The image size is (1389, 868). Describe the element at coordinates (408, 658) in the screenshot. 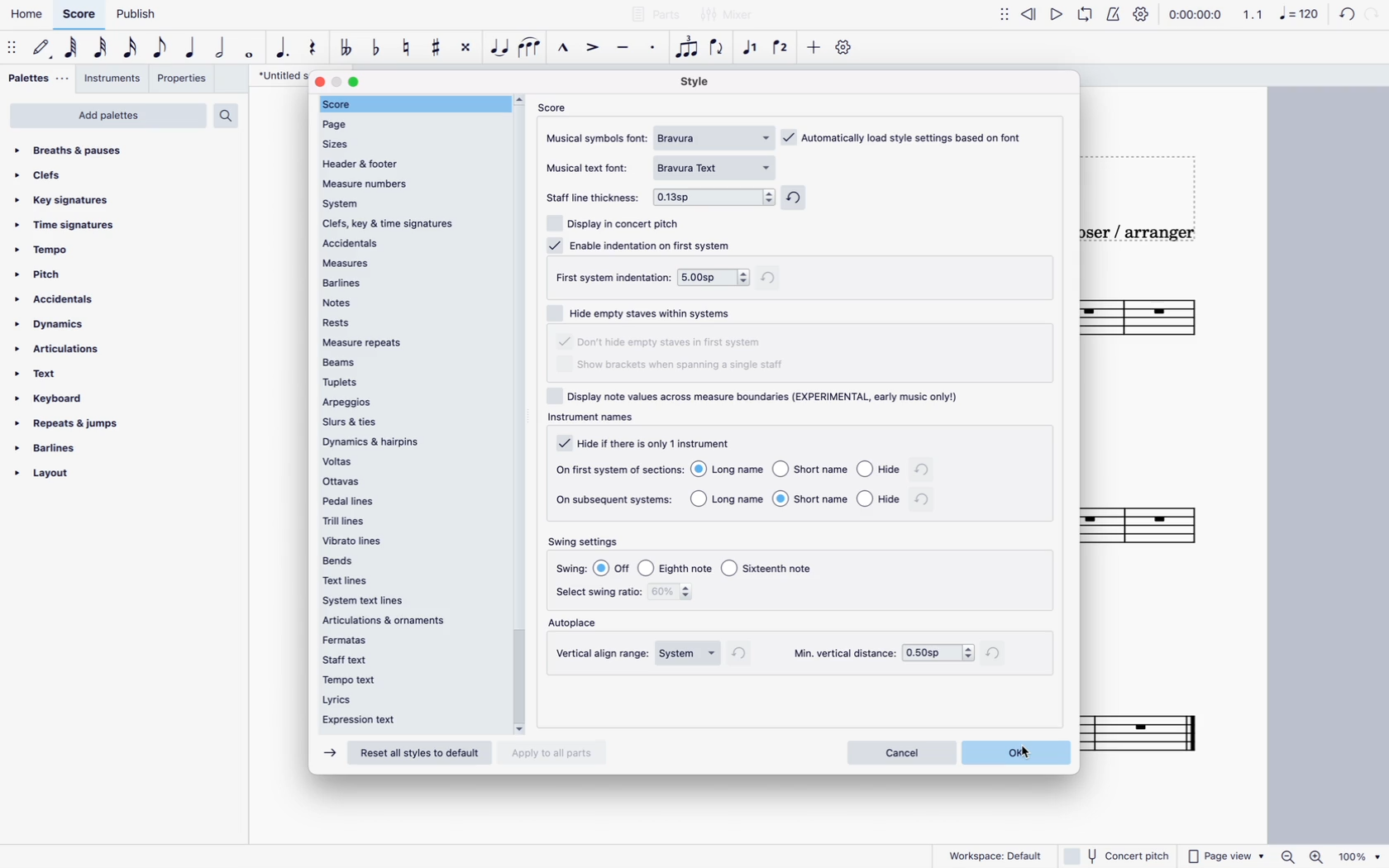

I see `staff text` at that location.